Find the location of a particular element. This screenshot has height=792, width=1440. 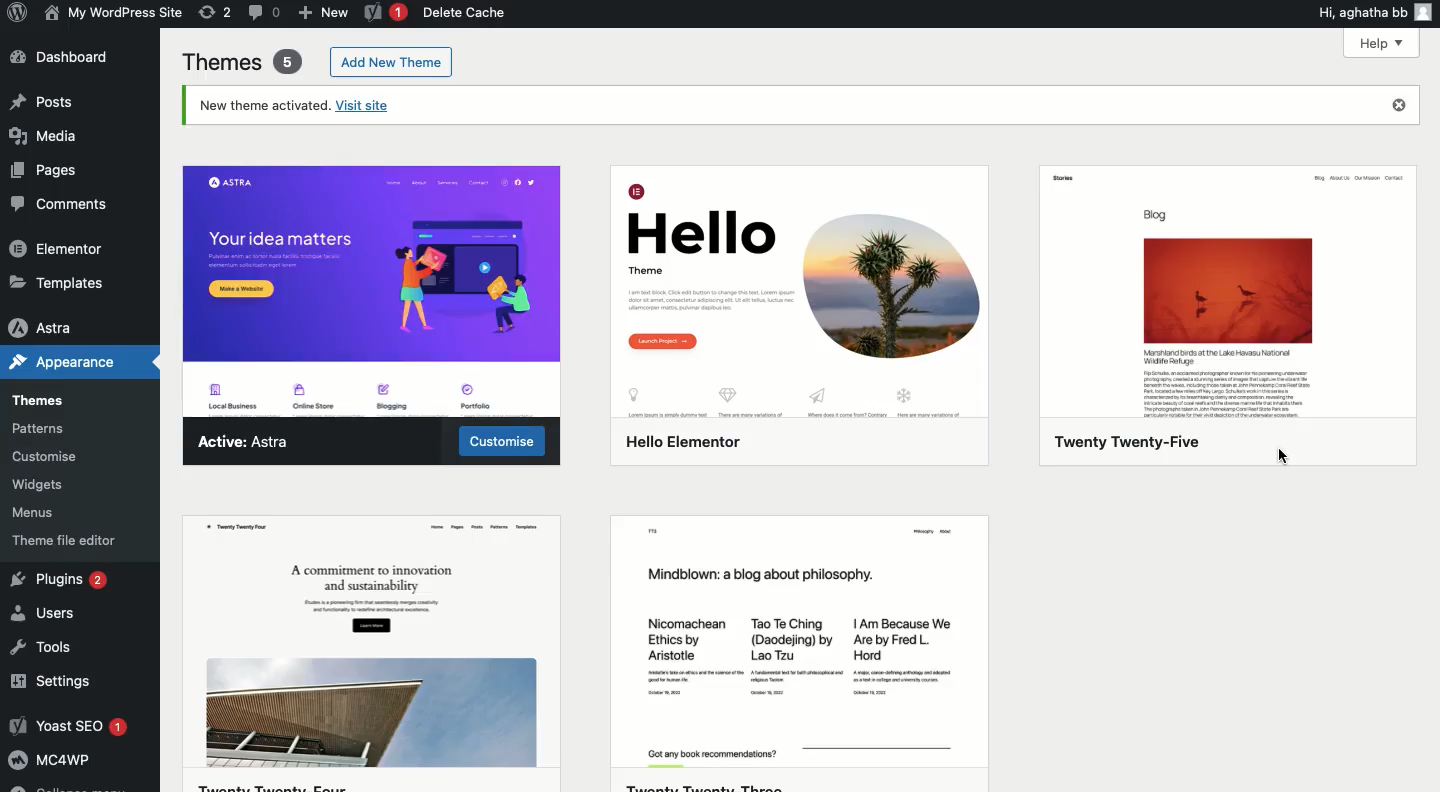

Twenty Twenty-Five Theme is located at coordinates (1221, 317).